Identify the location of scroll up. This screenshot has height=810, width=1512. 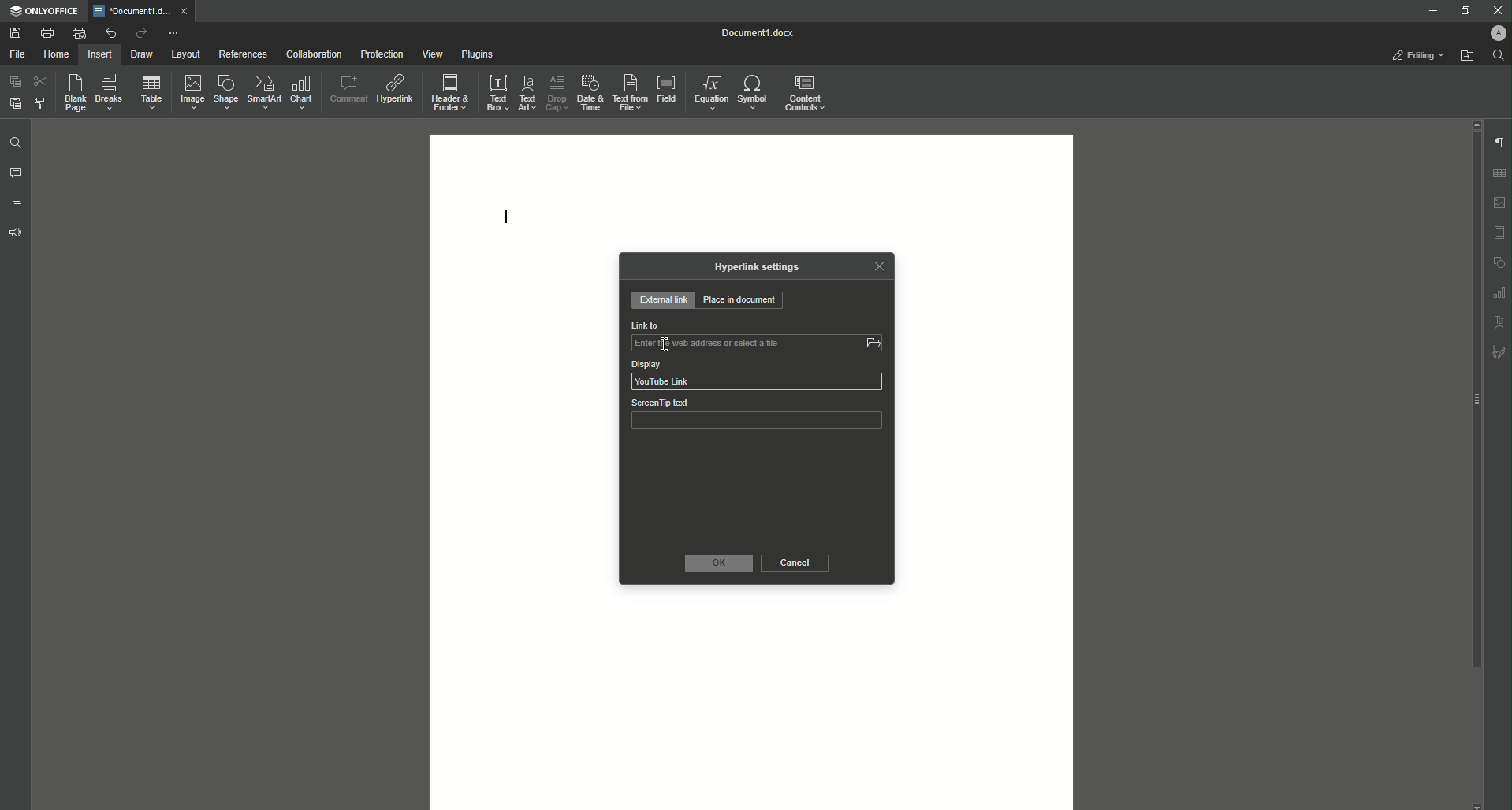
(1477, 124).